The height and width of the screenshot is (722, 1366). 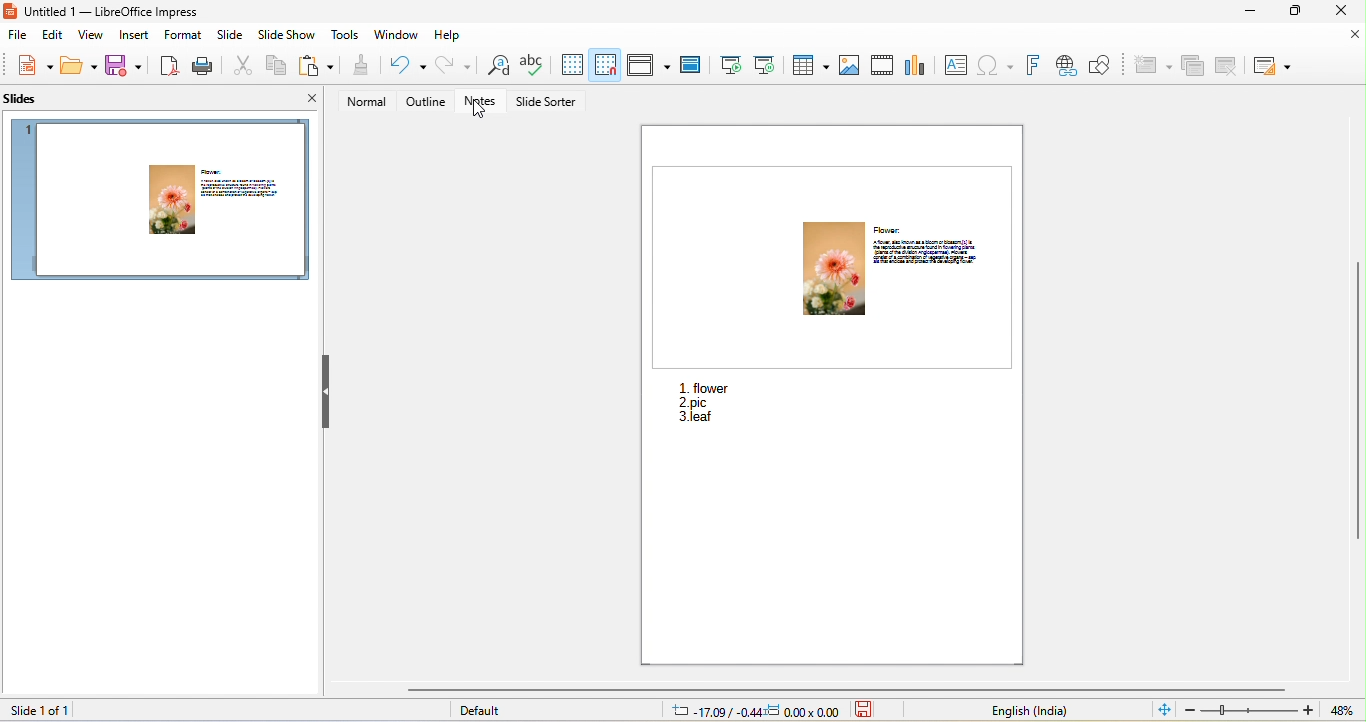 What do you see at coordinates (607, 65) in the screenshot?
I see `snap grids` at bounding box center [607, 65].